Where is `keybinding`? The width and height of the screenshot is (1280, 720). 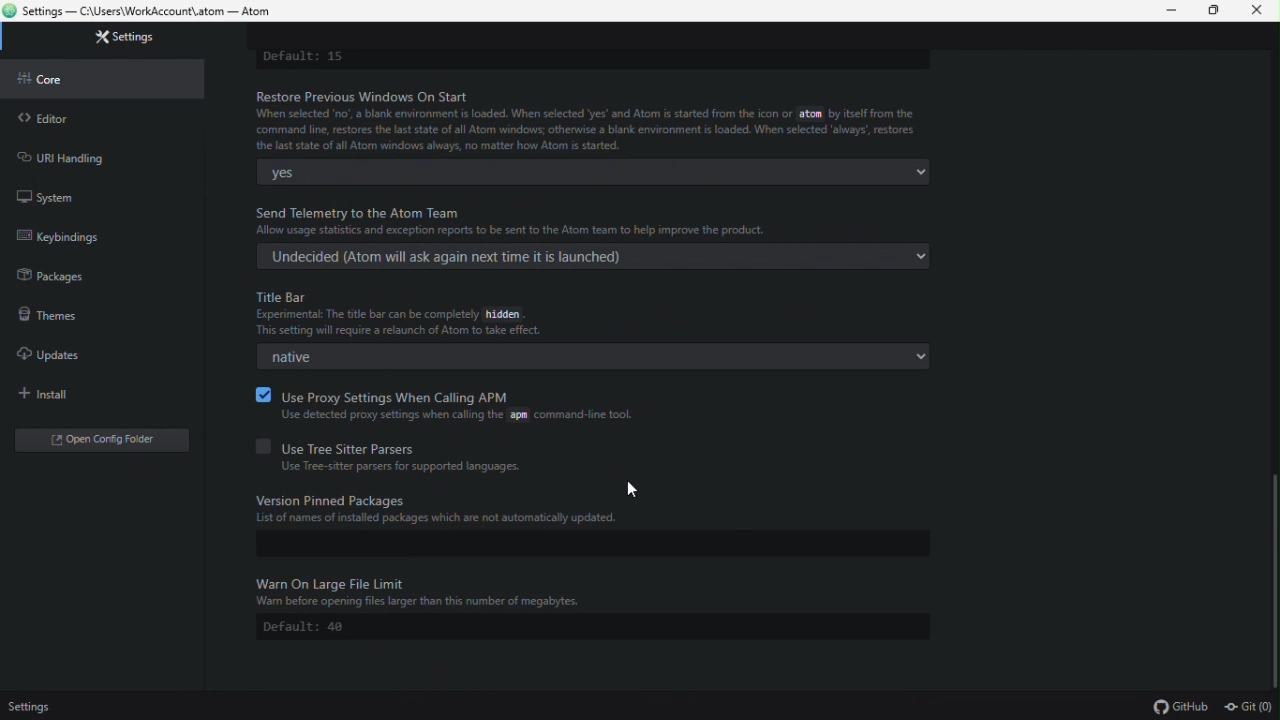 keybinding is located at coordinates (78, 236).